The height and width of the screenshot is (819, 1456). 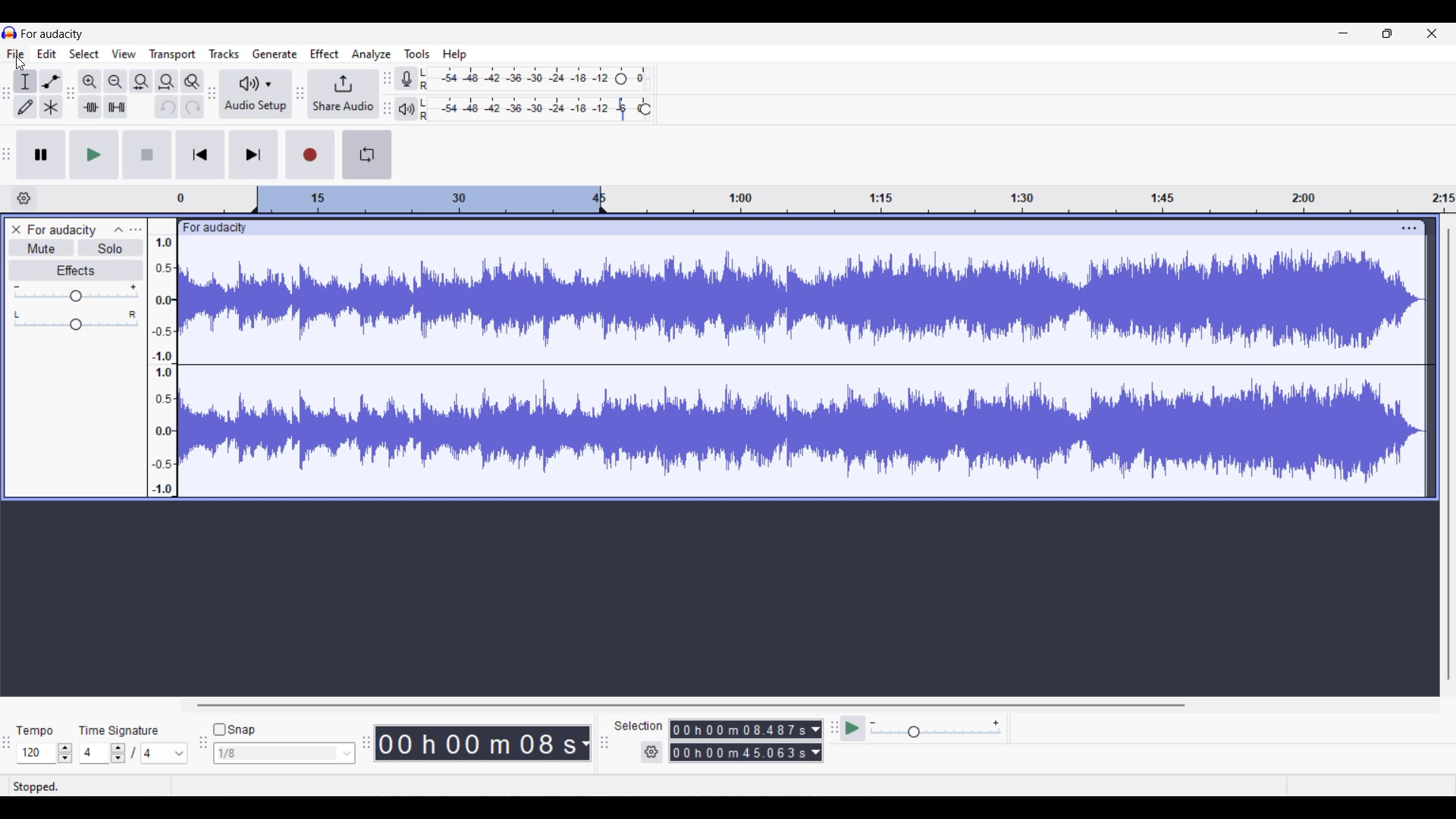 I want to click on Indicates time signature settings, so click(x=119, y=730).